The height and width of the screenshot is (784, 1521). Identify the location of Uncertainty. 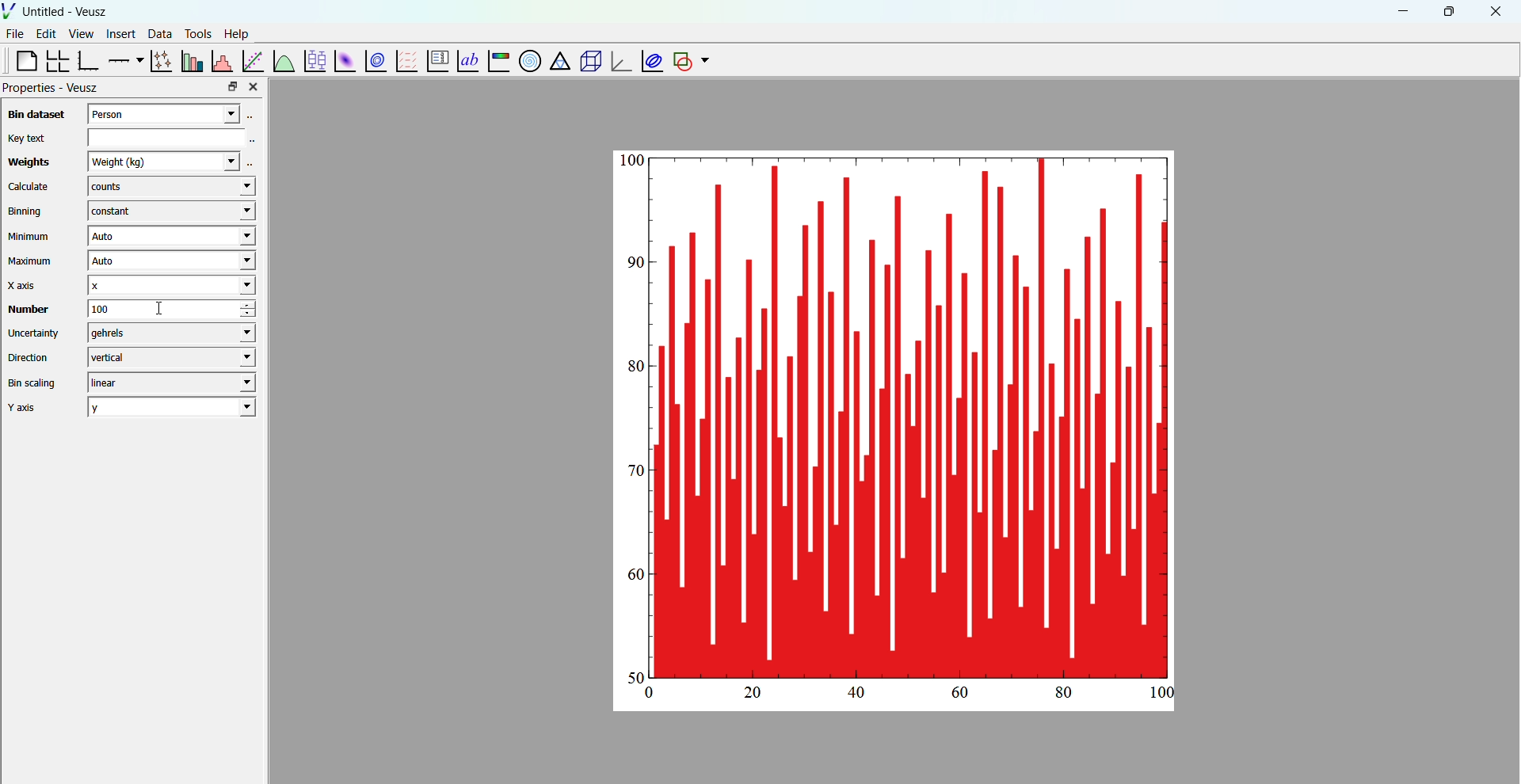
(35, 333).